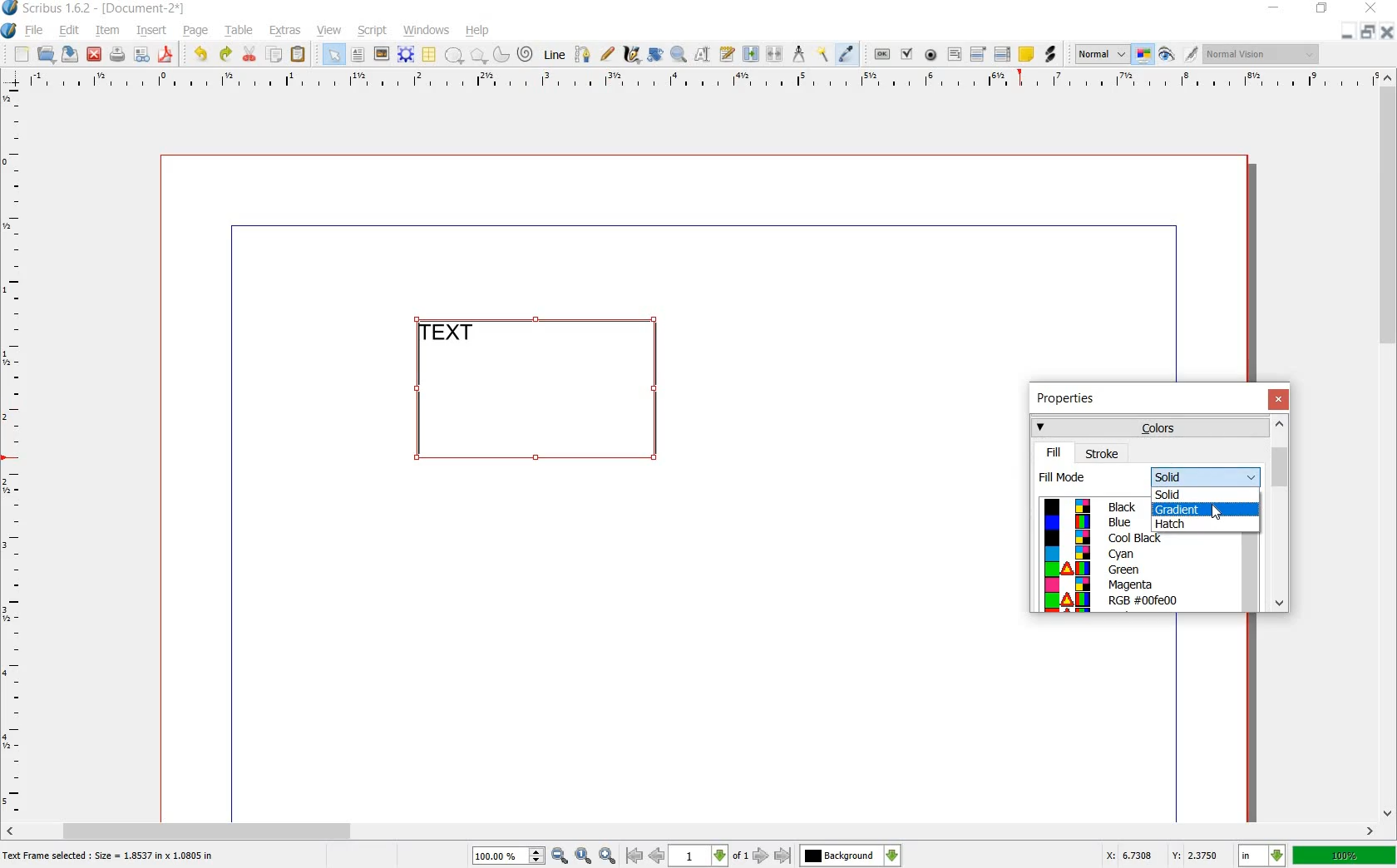  Describe the element at coordinates (454, 56) in the screenshot. I see `shape` at that location.